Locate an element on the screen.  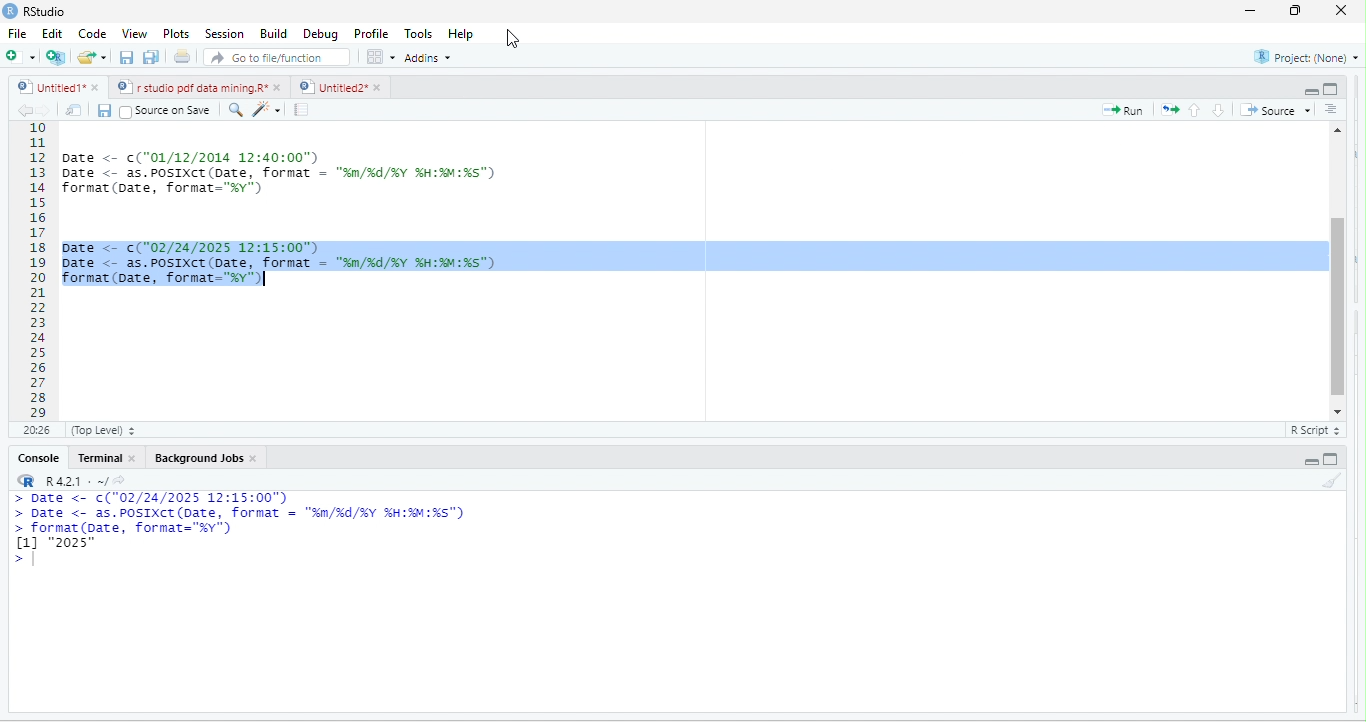
go to next section/chunk is located at coordinates (1219, 110).